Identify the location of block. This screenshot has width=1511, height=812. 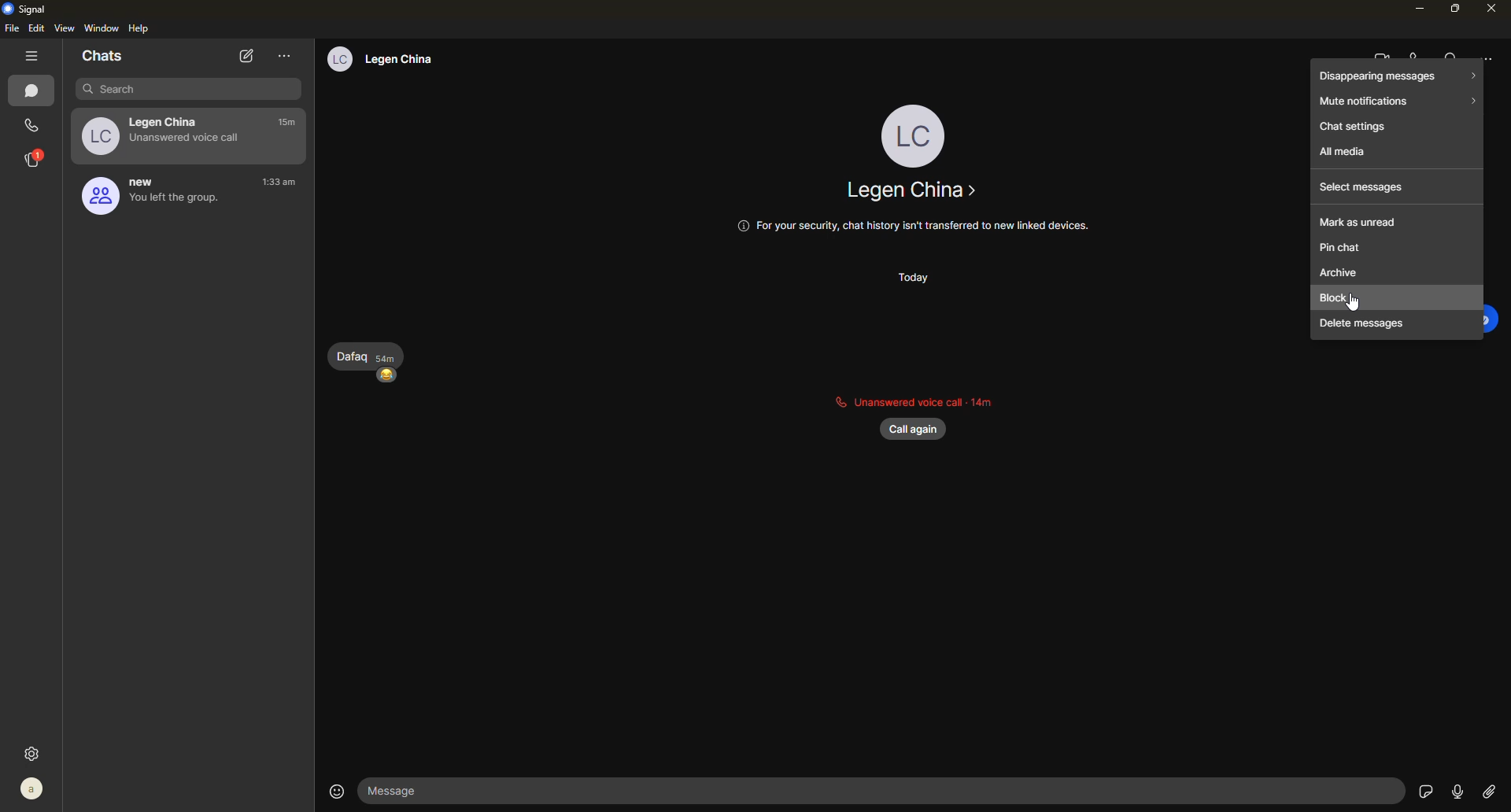
(1336, 299).